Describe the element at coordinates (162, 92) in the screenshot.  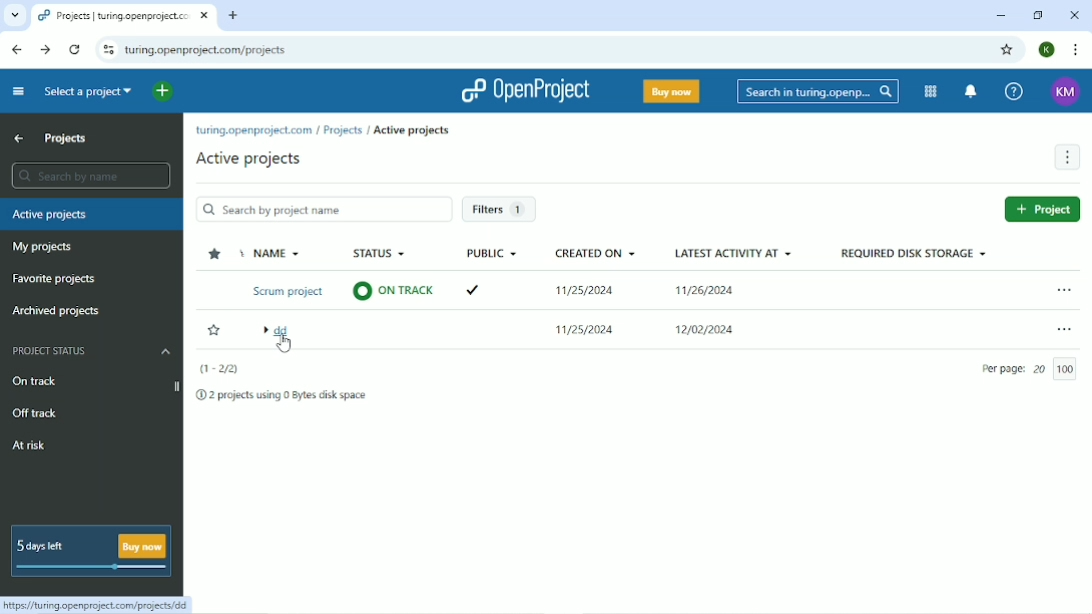
I see `Open quick add menu` at that location.